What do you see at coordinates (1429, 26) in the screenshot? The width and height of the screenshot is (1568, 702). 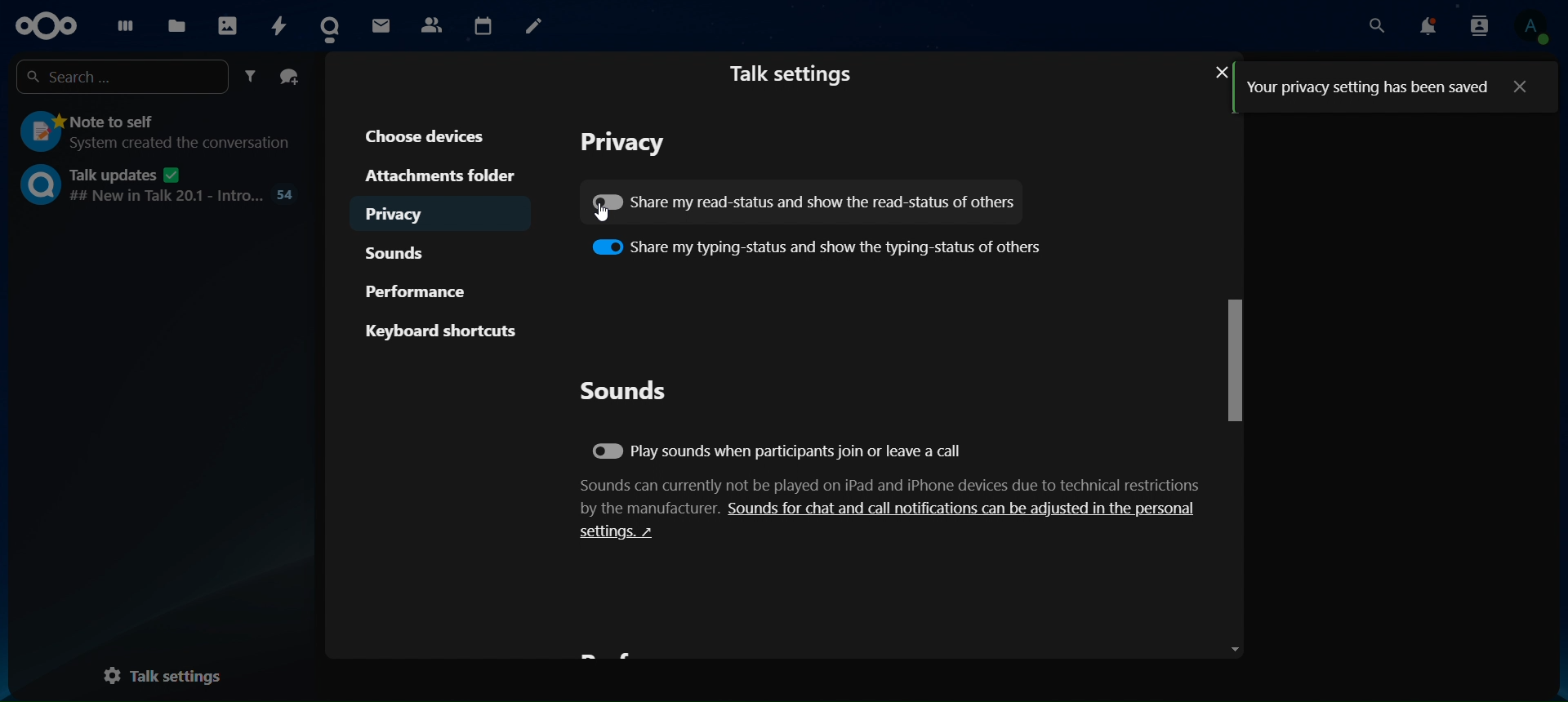 I see `notifications` at bounding box center [1429, 26].